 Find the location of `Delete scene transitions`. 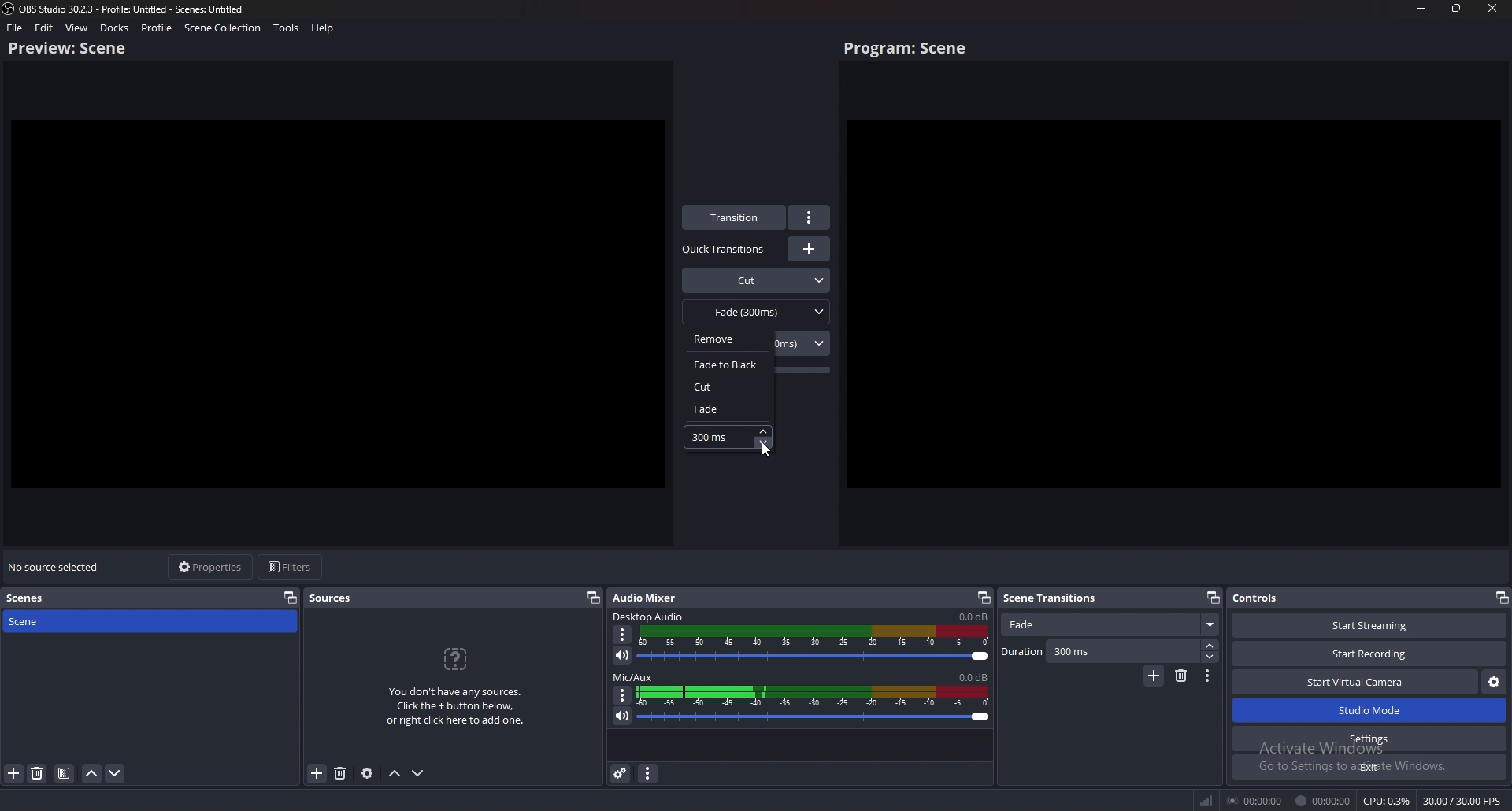

Delete scene transitions is located at coordinates (1181, 676).